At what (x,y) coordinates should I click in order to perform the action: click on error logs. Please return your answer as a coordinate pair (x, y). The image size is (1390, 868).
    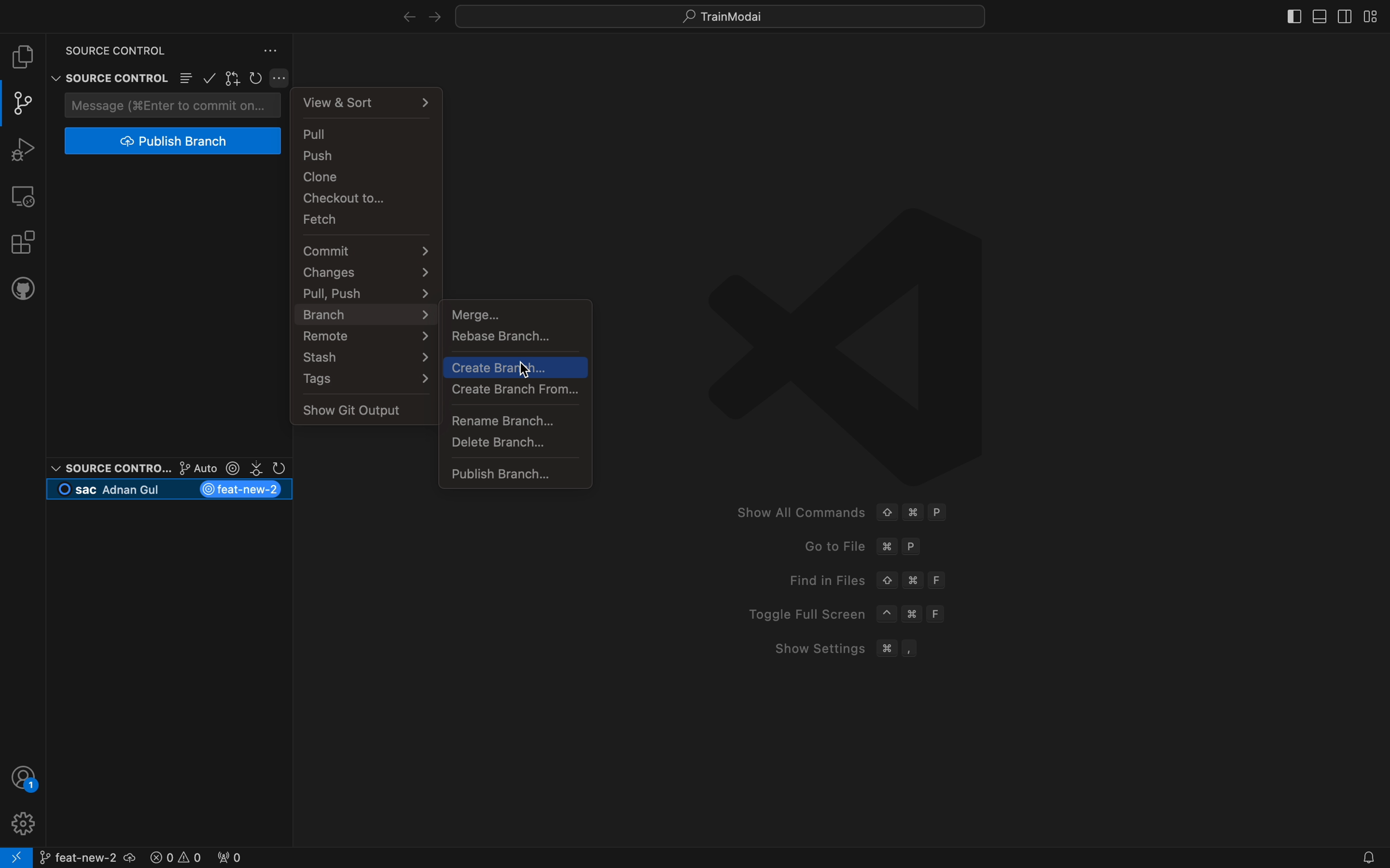
    Looking at the image, I should click on (213, 855).